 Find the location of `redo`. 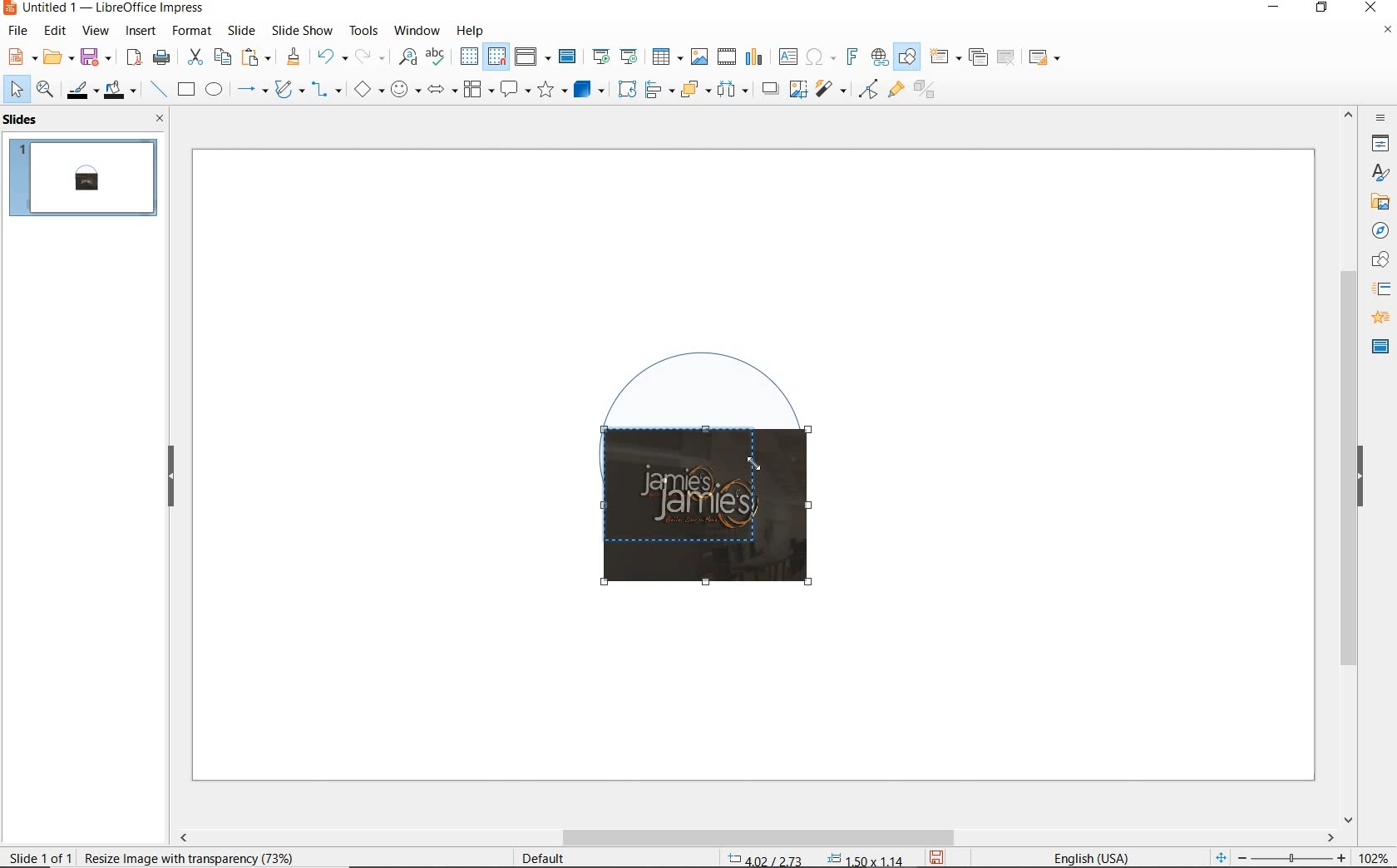

redo is located at coordinates (369, 57).